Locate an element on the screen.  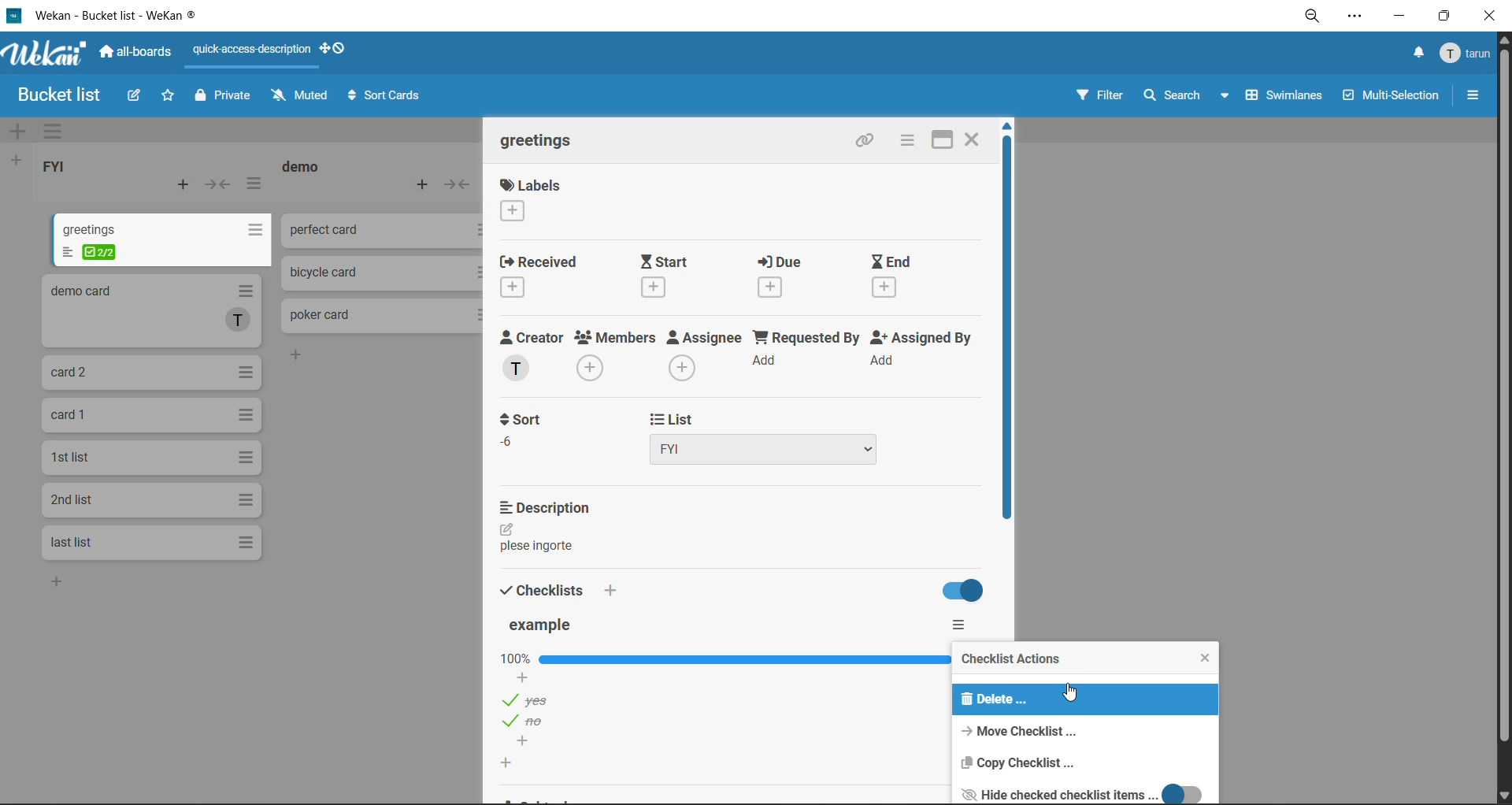
add new checklist is located at coordinates (517, 763).